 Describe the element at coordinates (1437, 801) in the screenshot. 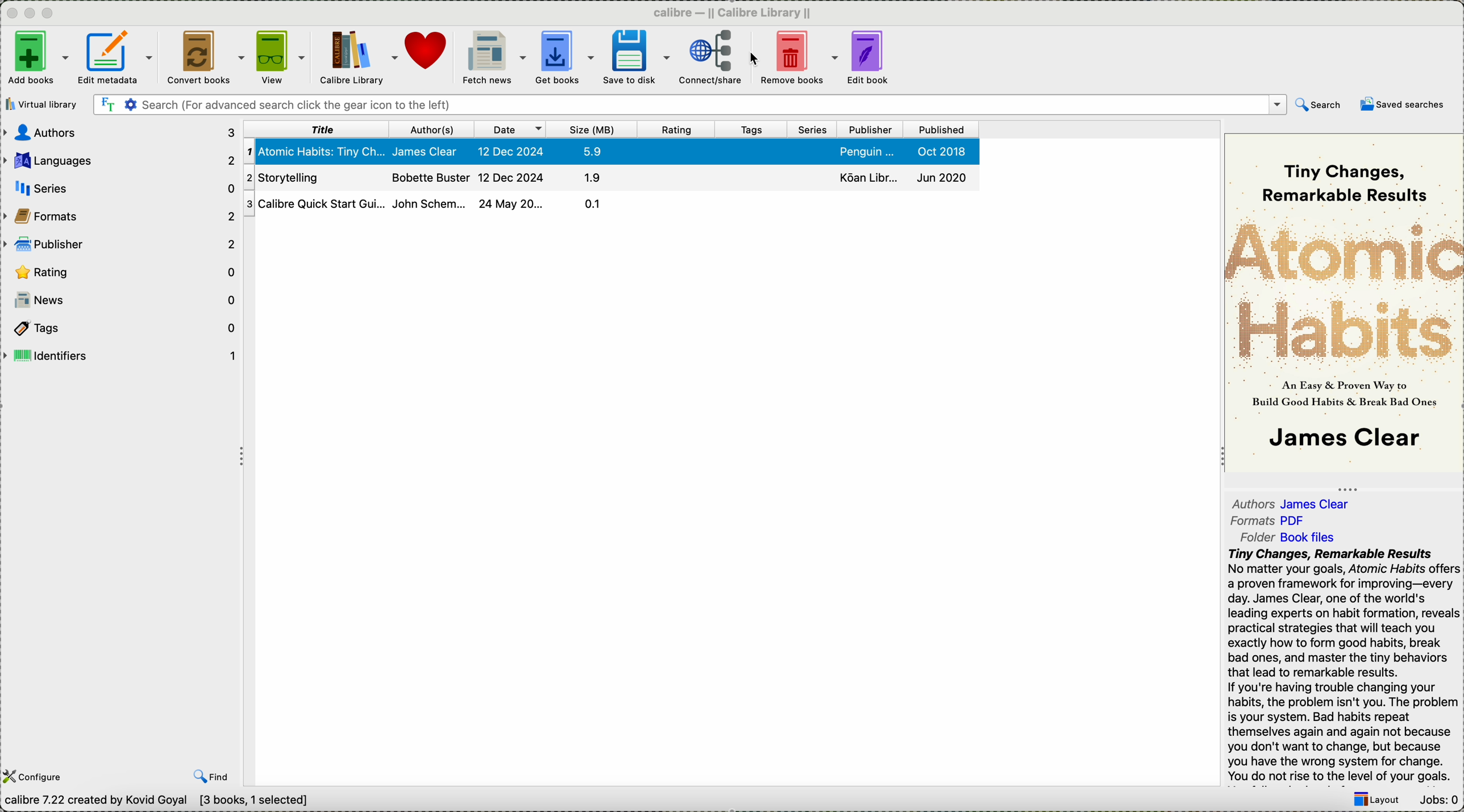

I see `Jobs: 0` at that location.